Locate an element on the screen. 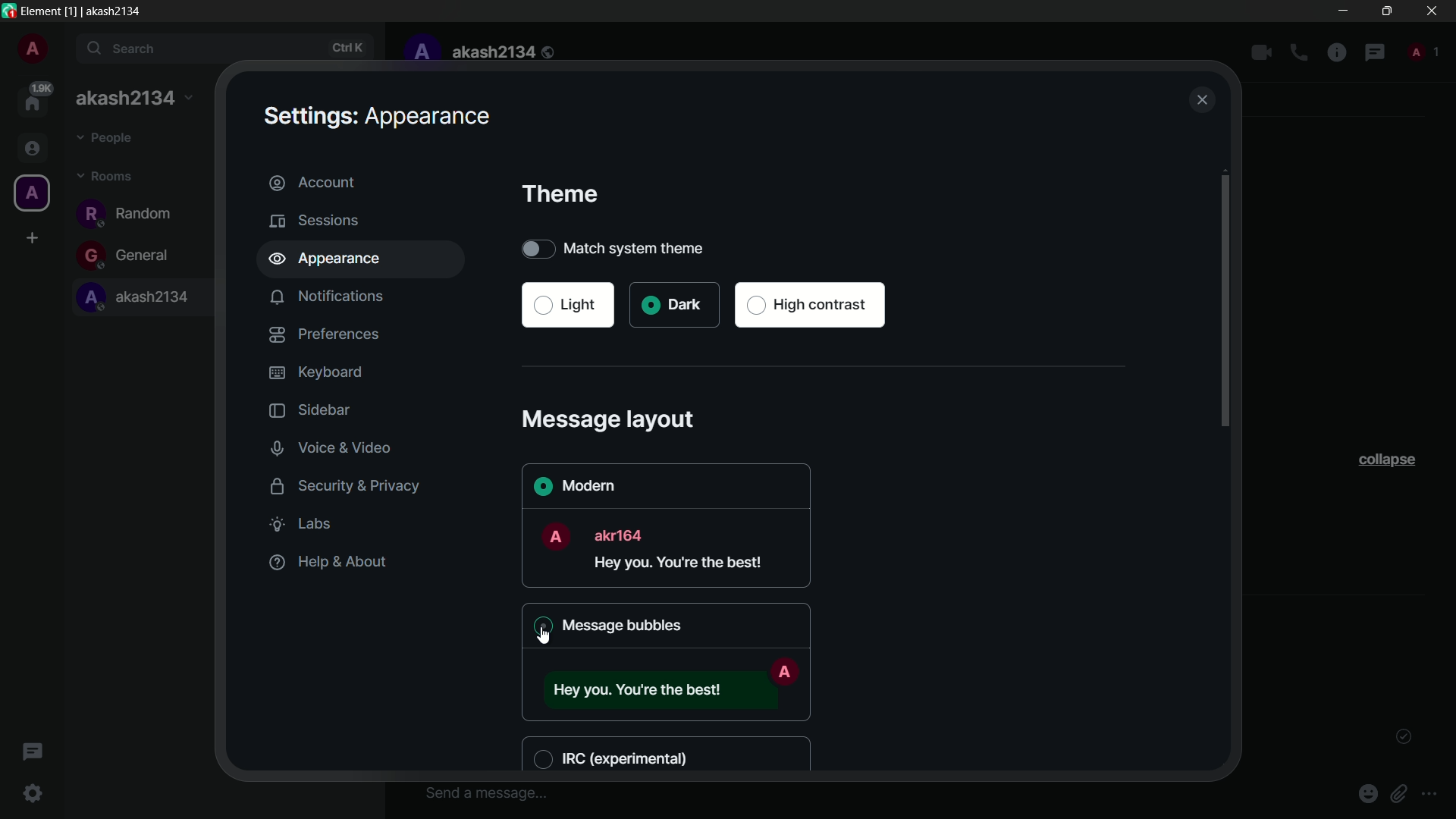 The image size is (1456, 819). close is located at coordinates (1203, 101).